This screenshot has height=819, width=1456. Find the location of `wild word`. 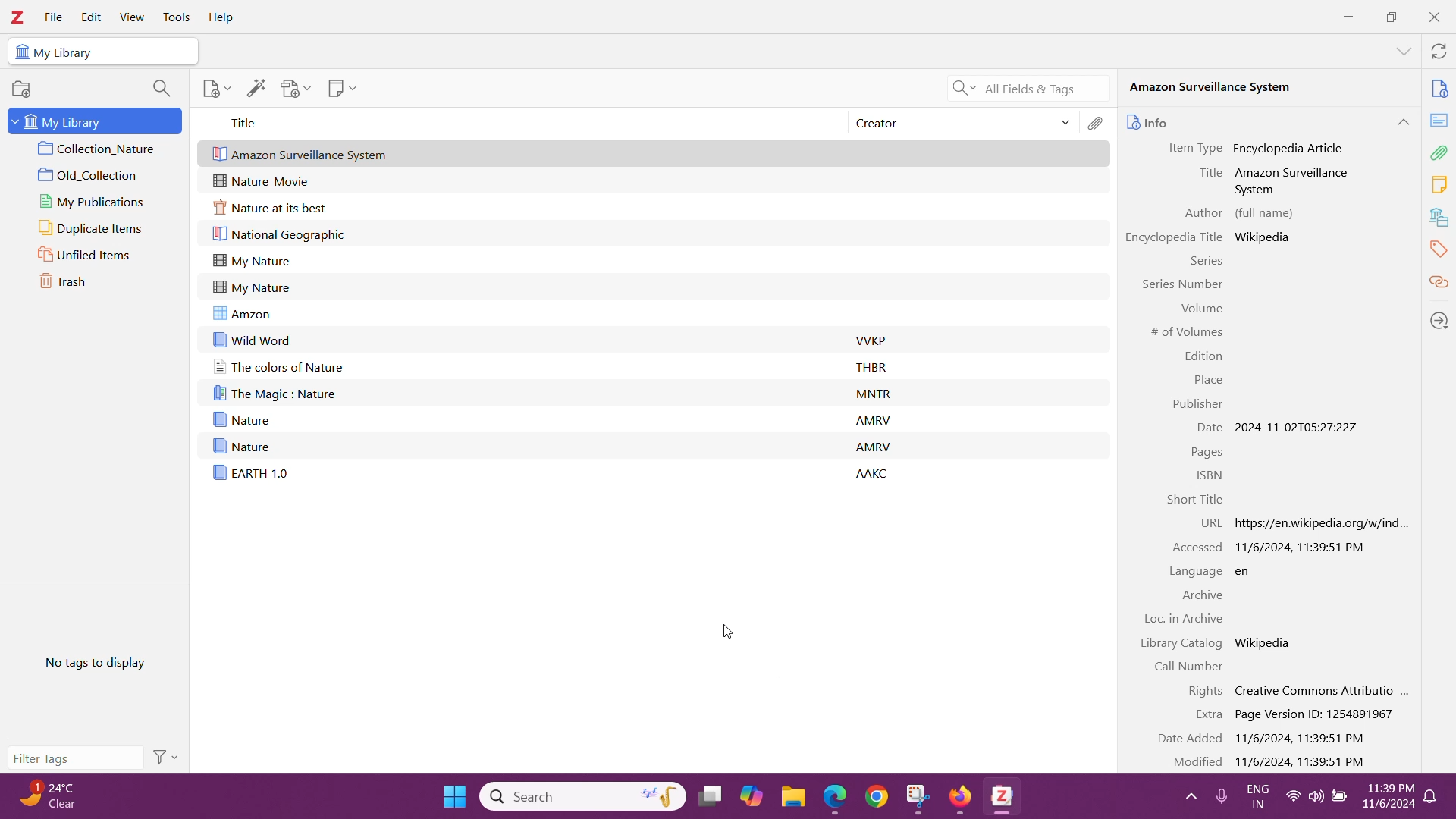

wild word is located at coordinates (256, 338).